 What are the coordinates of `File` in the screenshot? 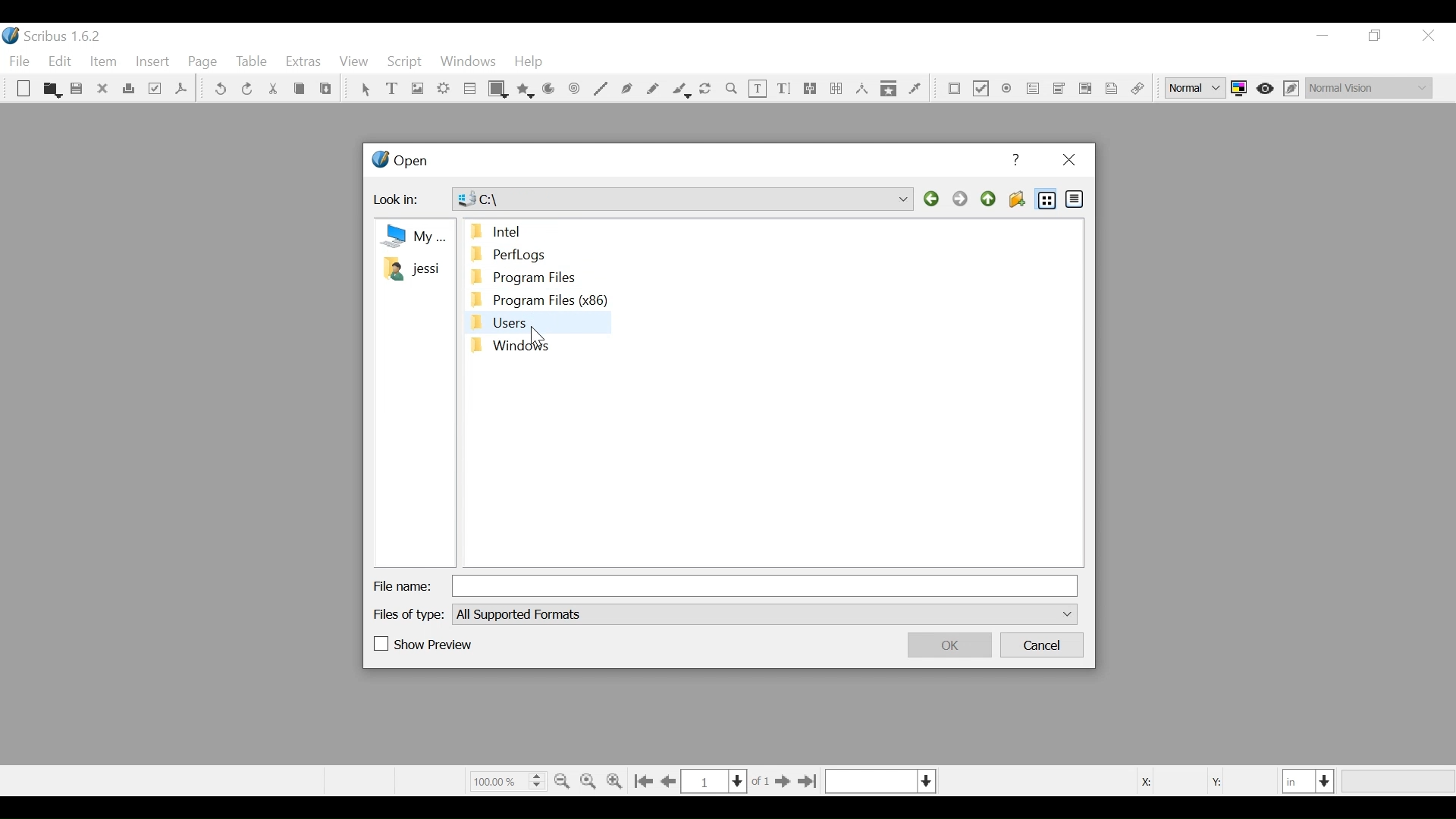 It's located at (22, 61).